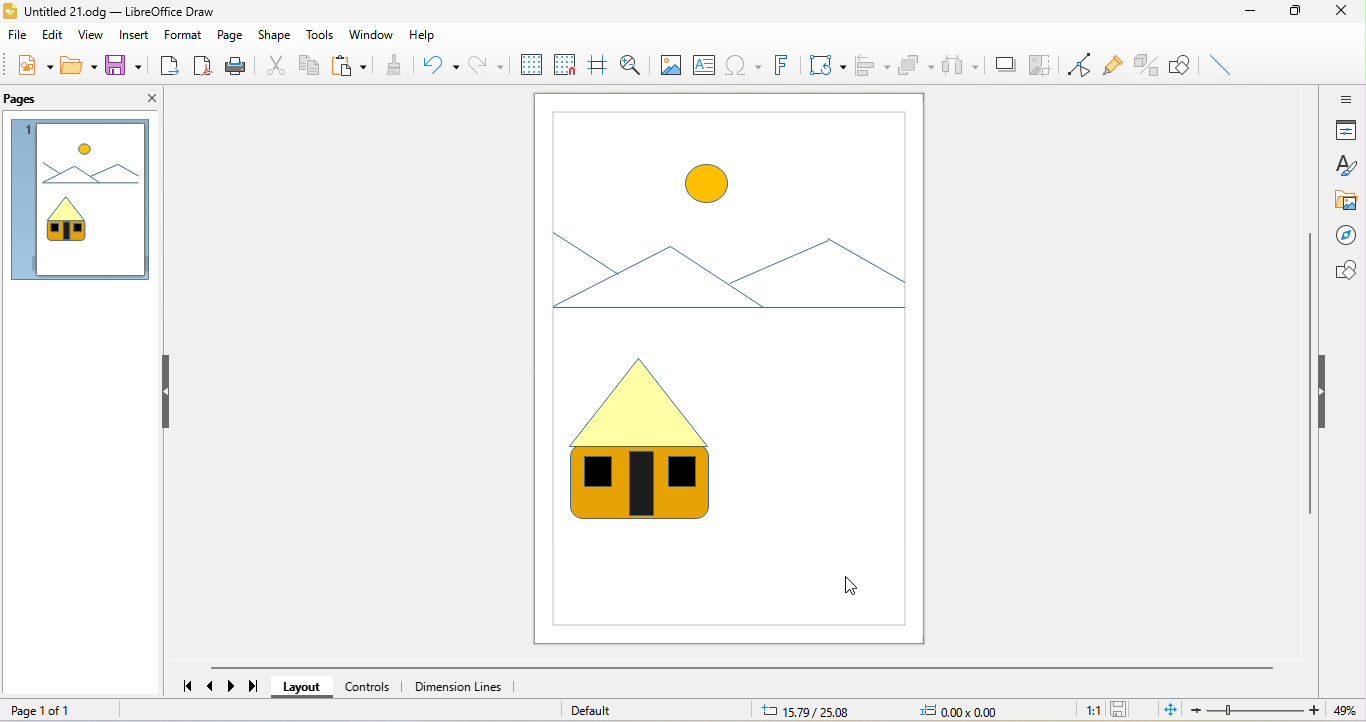 This screenshot has width=1366, height=722. What do you see at coordinates (1338, 12) in the screenshot?
I see `close` at bounding box center [1338, 12].